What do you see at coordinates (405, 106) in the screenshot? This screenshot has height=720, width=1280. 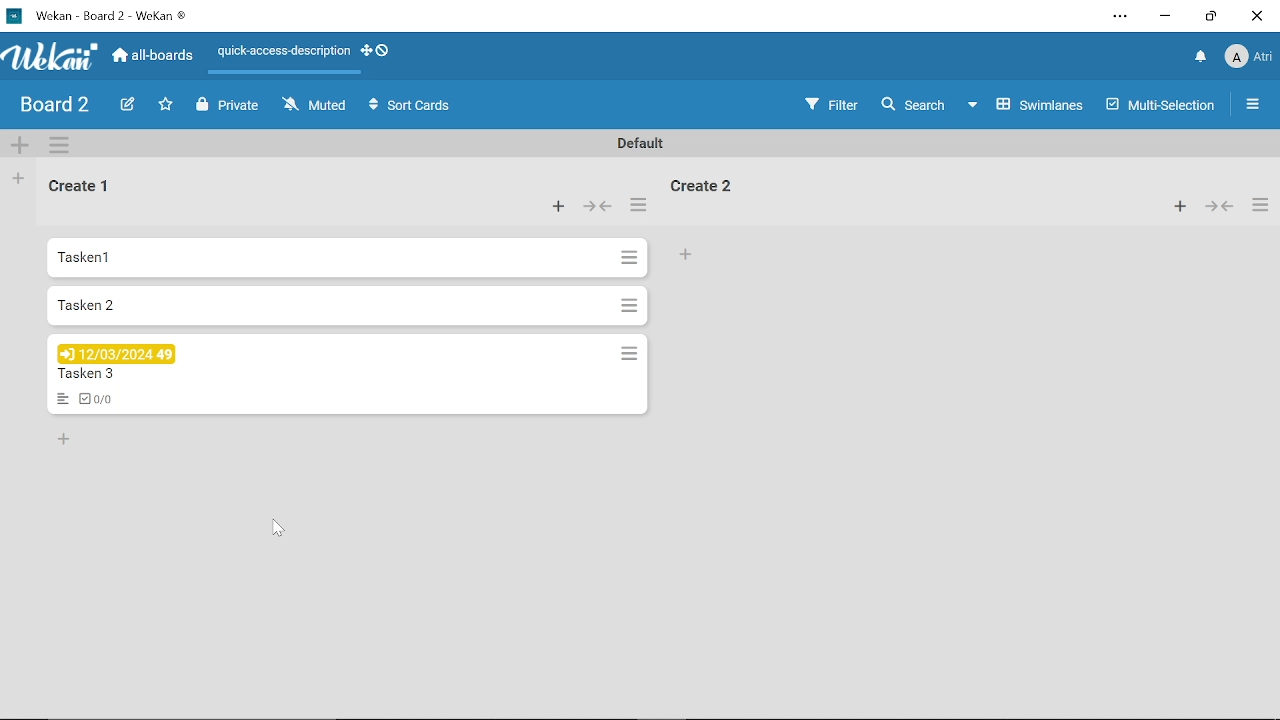 I see `Sort Cards` at bounding box center [405, 106].